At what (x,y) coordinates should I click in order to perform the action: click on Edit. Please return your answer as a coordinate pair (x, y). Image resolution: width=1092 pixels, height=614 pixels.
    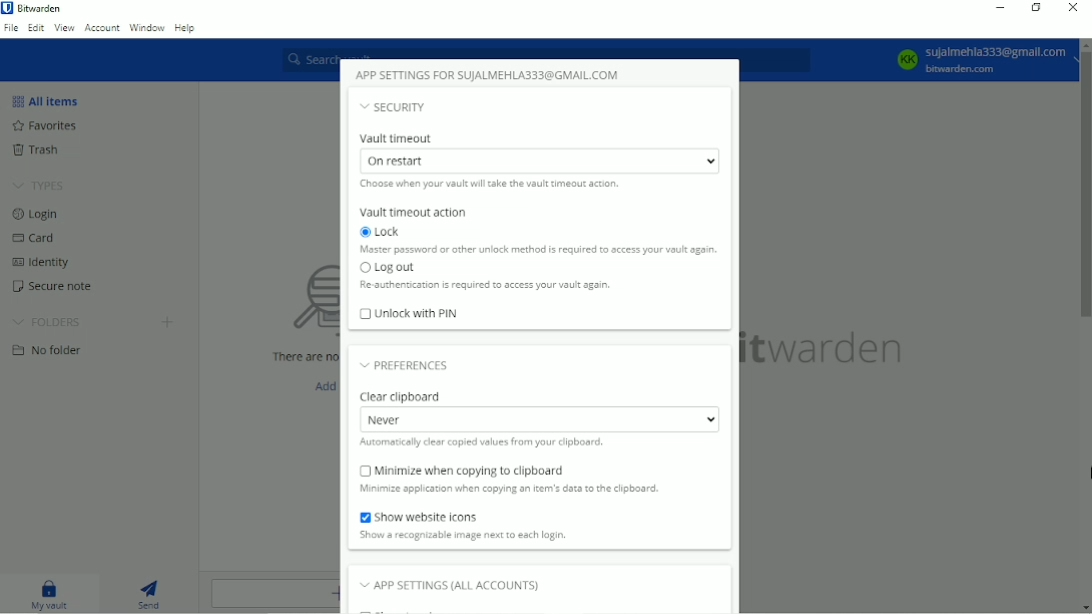
    Looking at the image, I should click on (35, 28).